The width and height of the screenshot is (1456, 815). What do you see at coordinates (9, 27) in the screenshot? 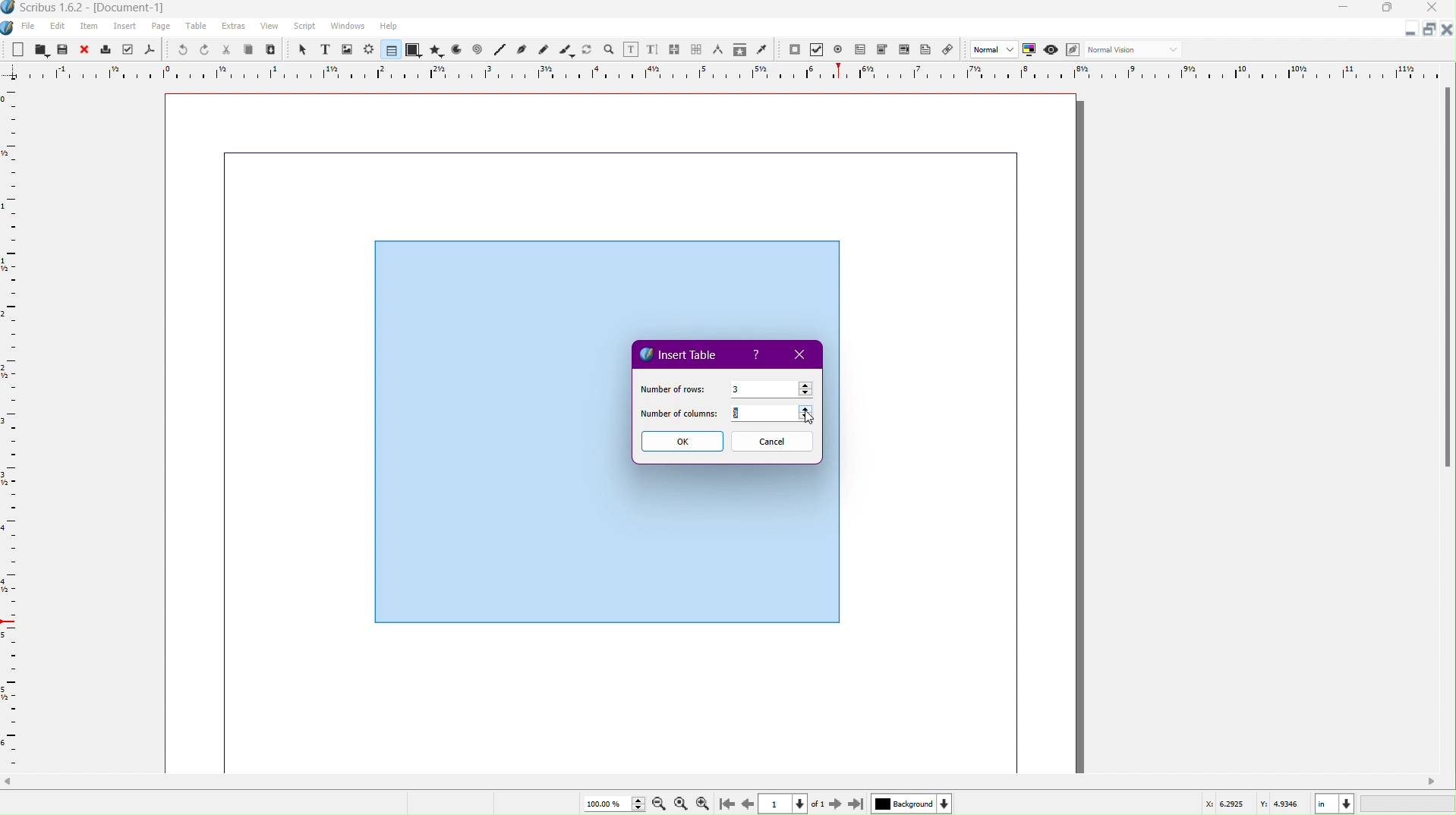
I see `Logo` at bounding box center [9, 27].